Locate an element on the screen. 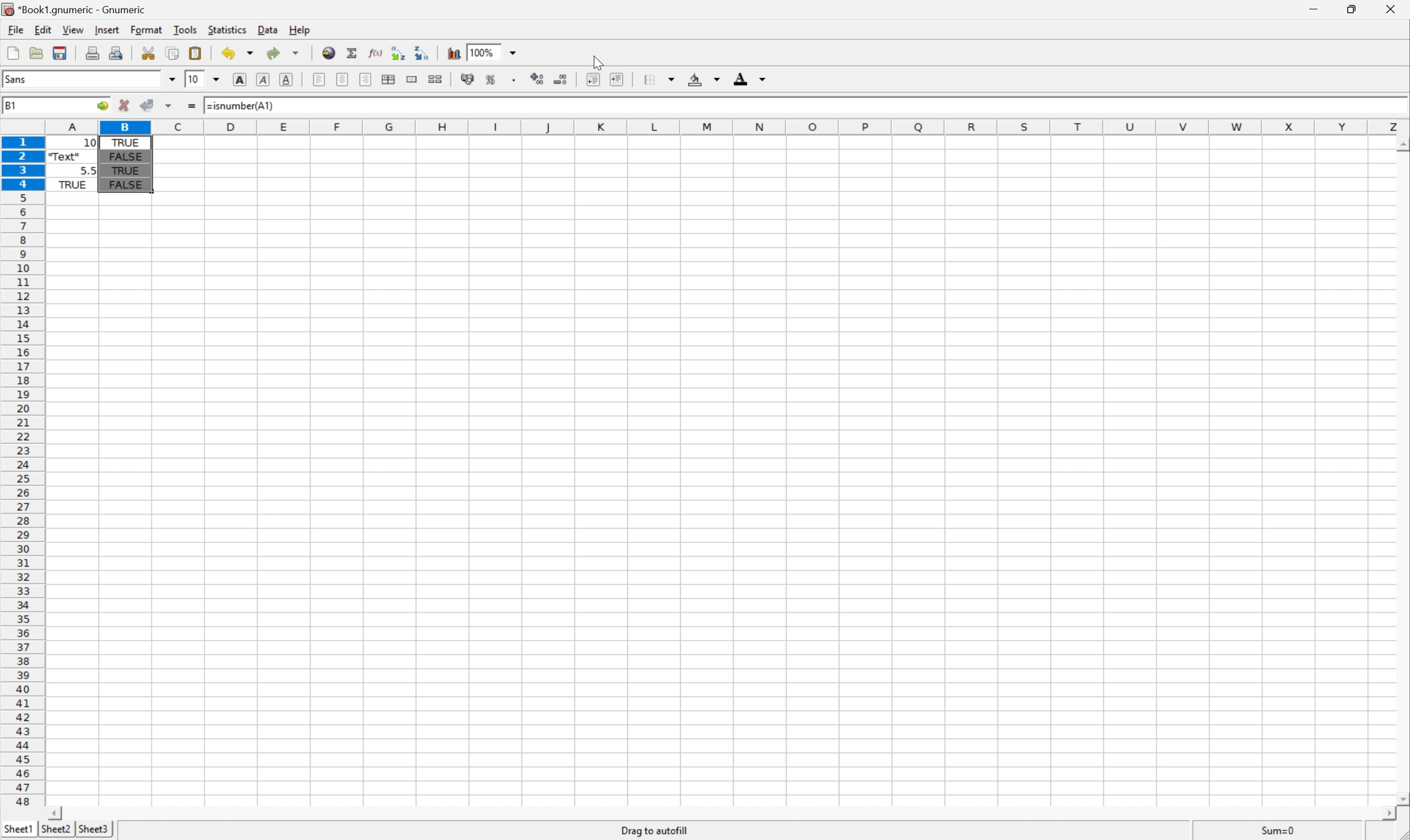 This screenshot has width=1410, height=840. Minimize is located at coordinates (1317, 8).